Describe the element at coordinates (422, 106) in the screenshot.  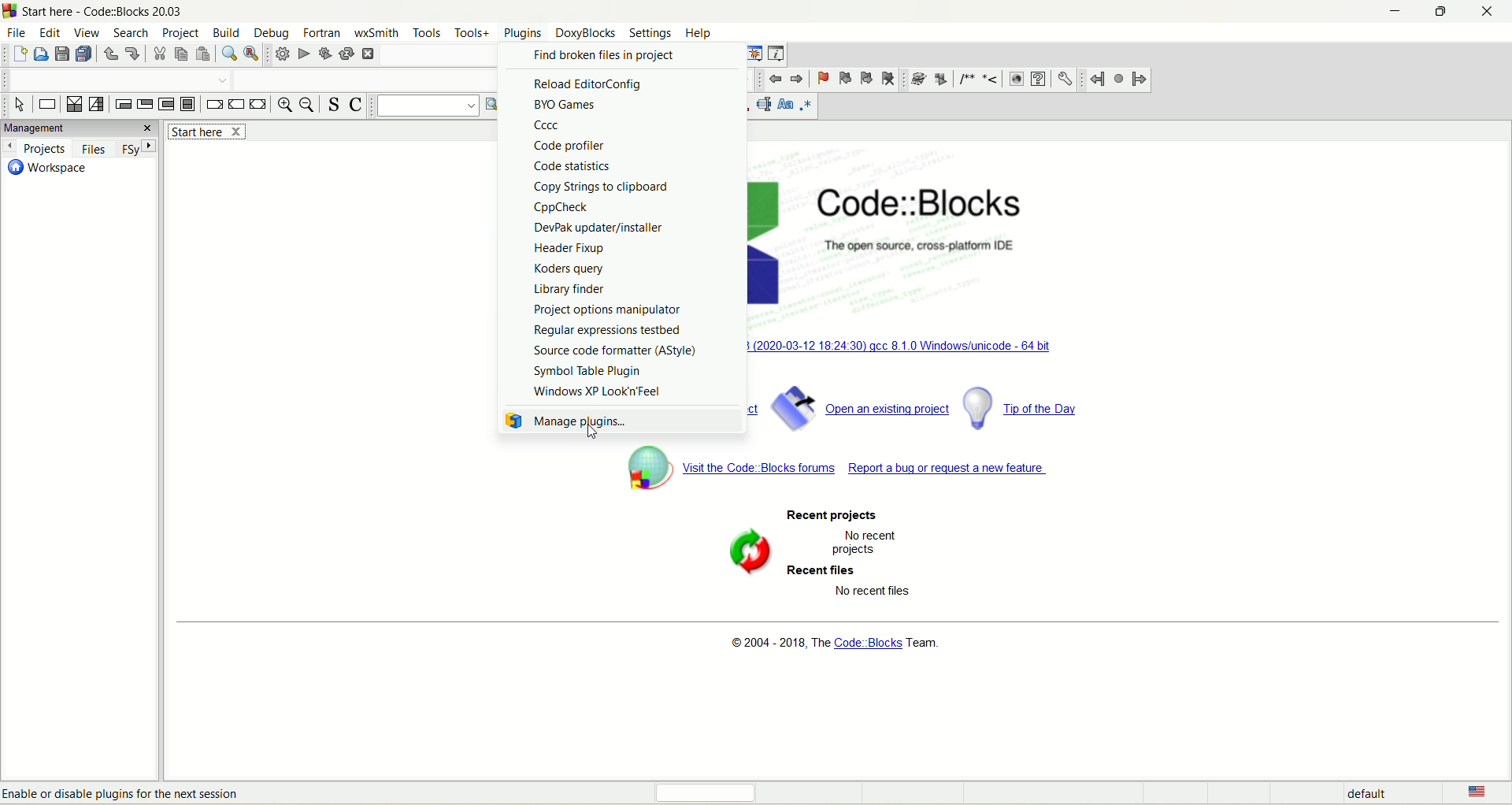
I see `text run` at that location.